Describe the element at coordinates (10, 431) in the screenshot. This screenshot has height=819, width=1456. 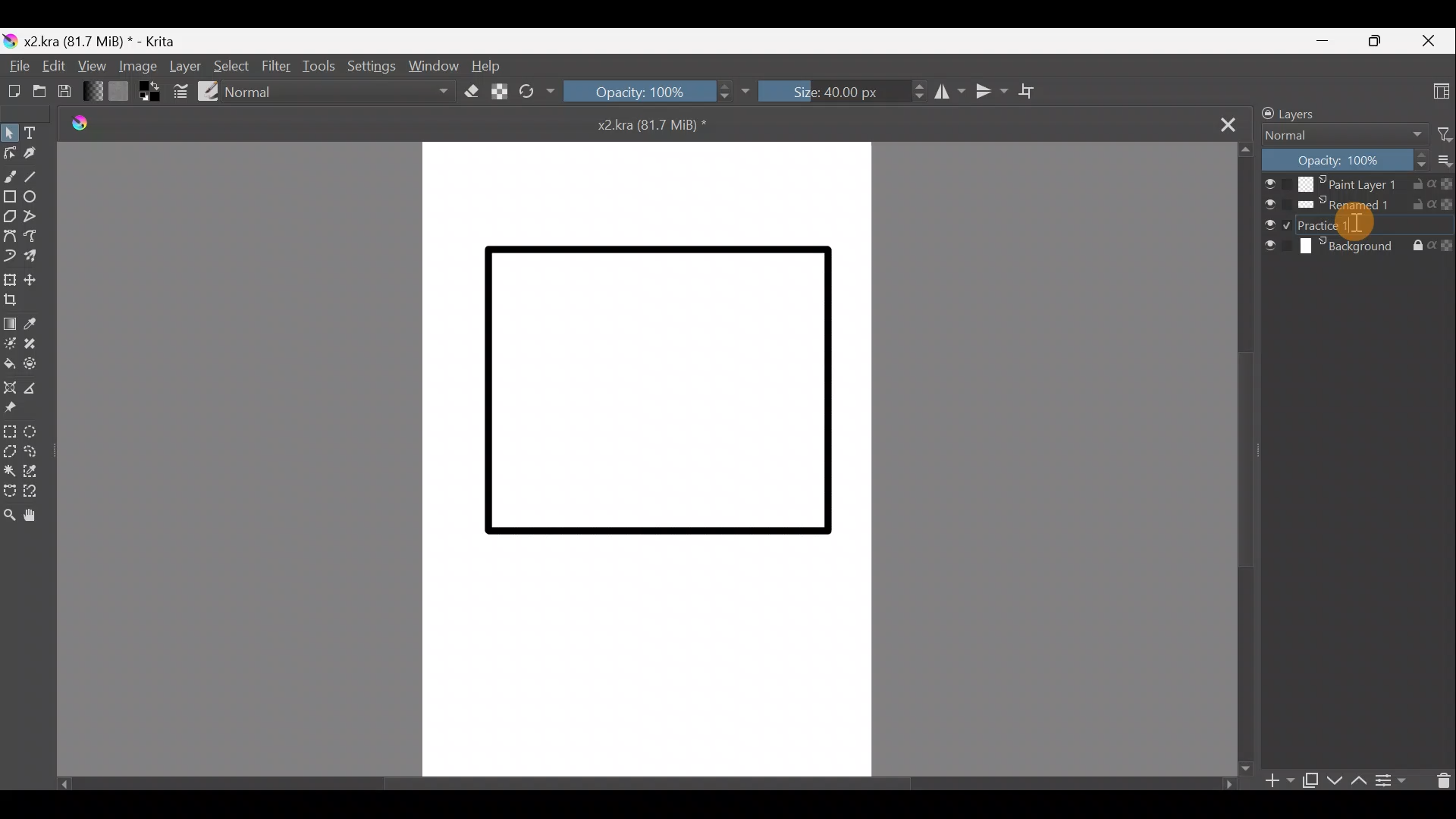
I see `Rectangular selection tool` at that location.